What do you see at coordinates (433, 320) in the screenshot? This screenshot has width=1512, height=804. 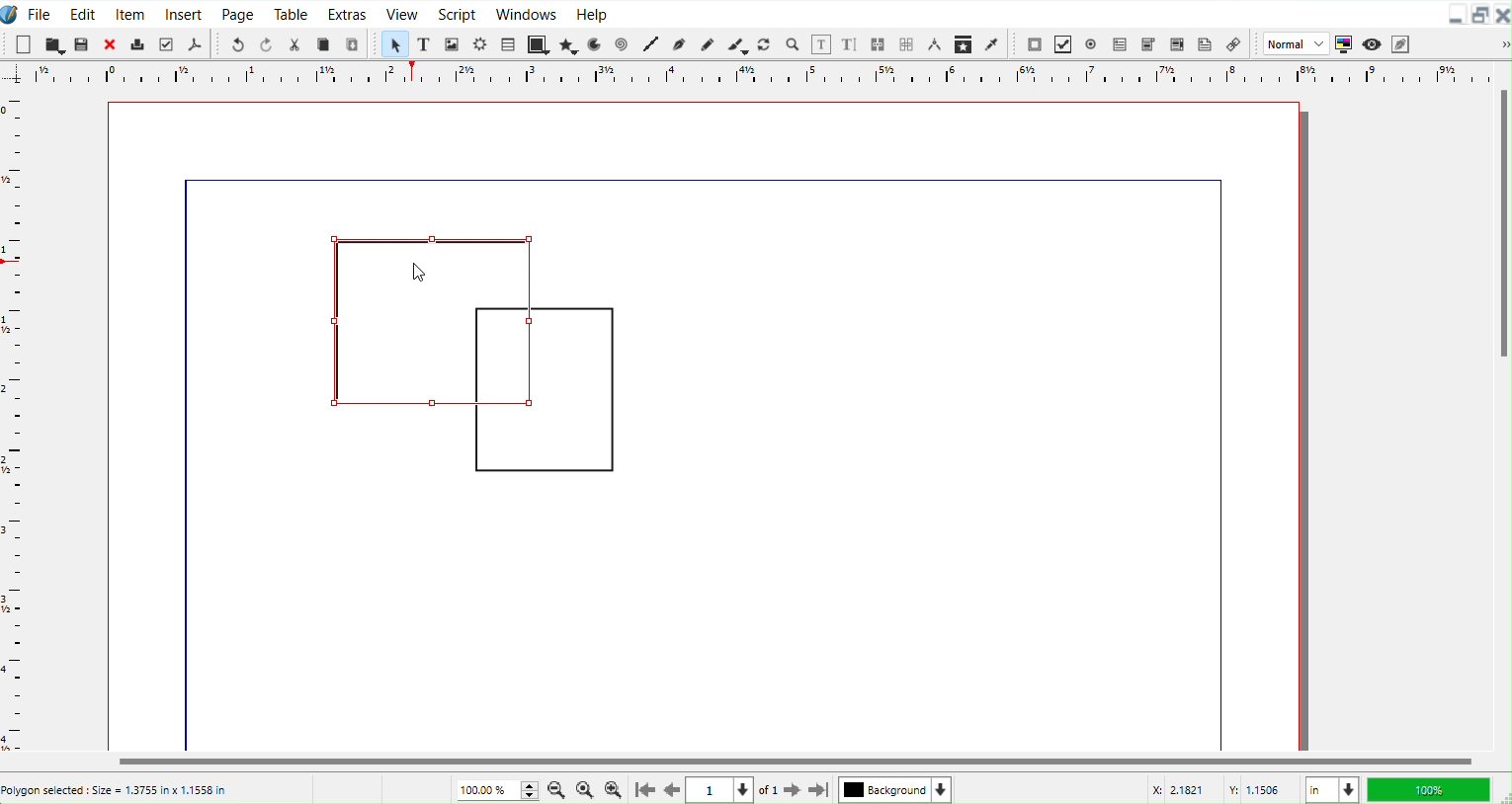 I see `Shape is Selected` at bounding box center [433, 320].